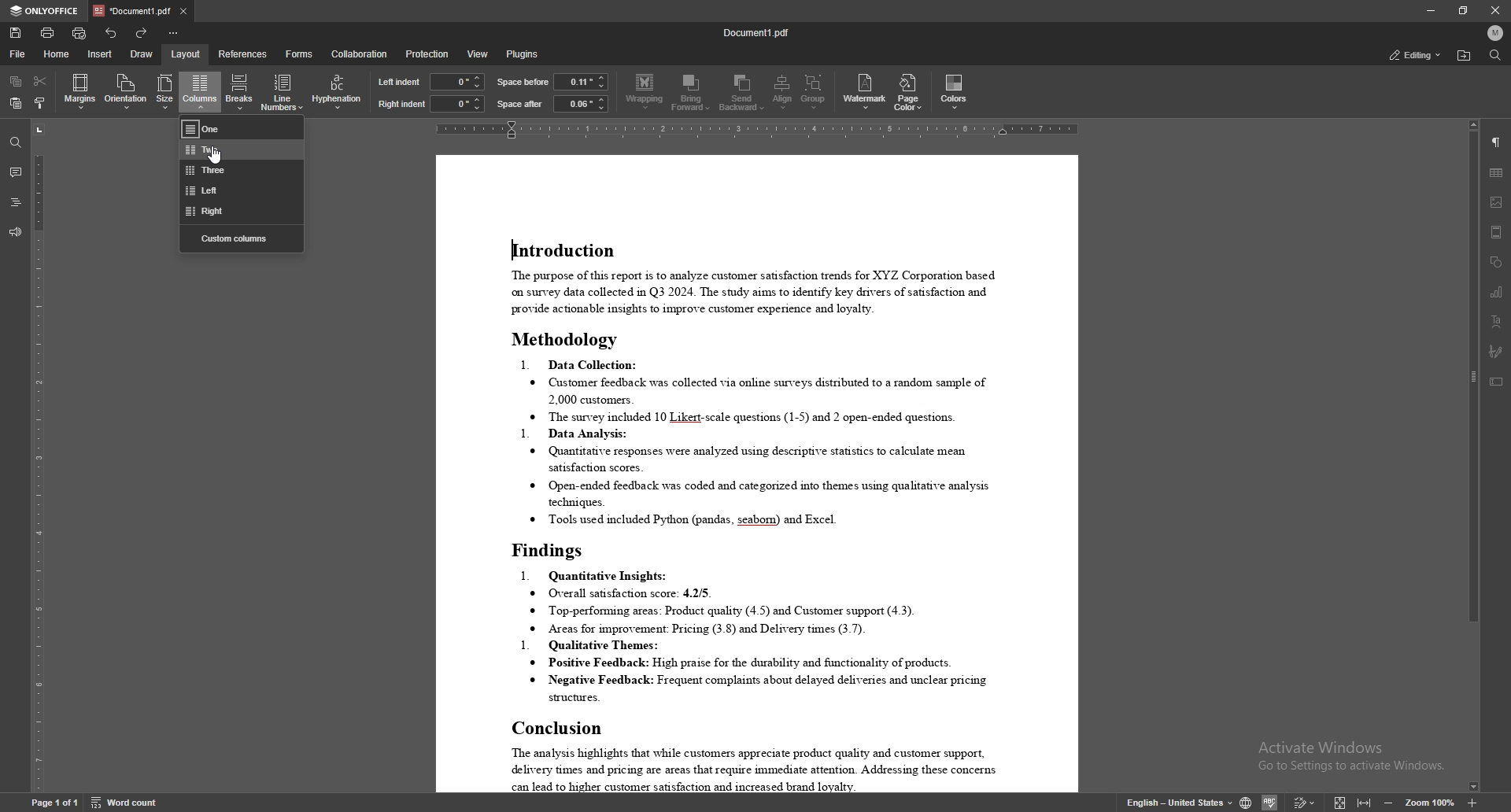 Image resolution: width=1511 pixels, height=812 pixels. What do you see at coordinates (16, 172) in the screenshot?
I see `comments` at bounding box center [16, 172].